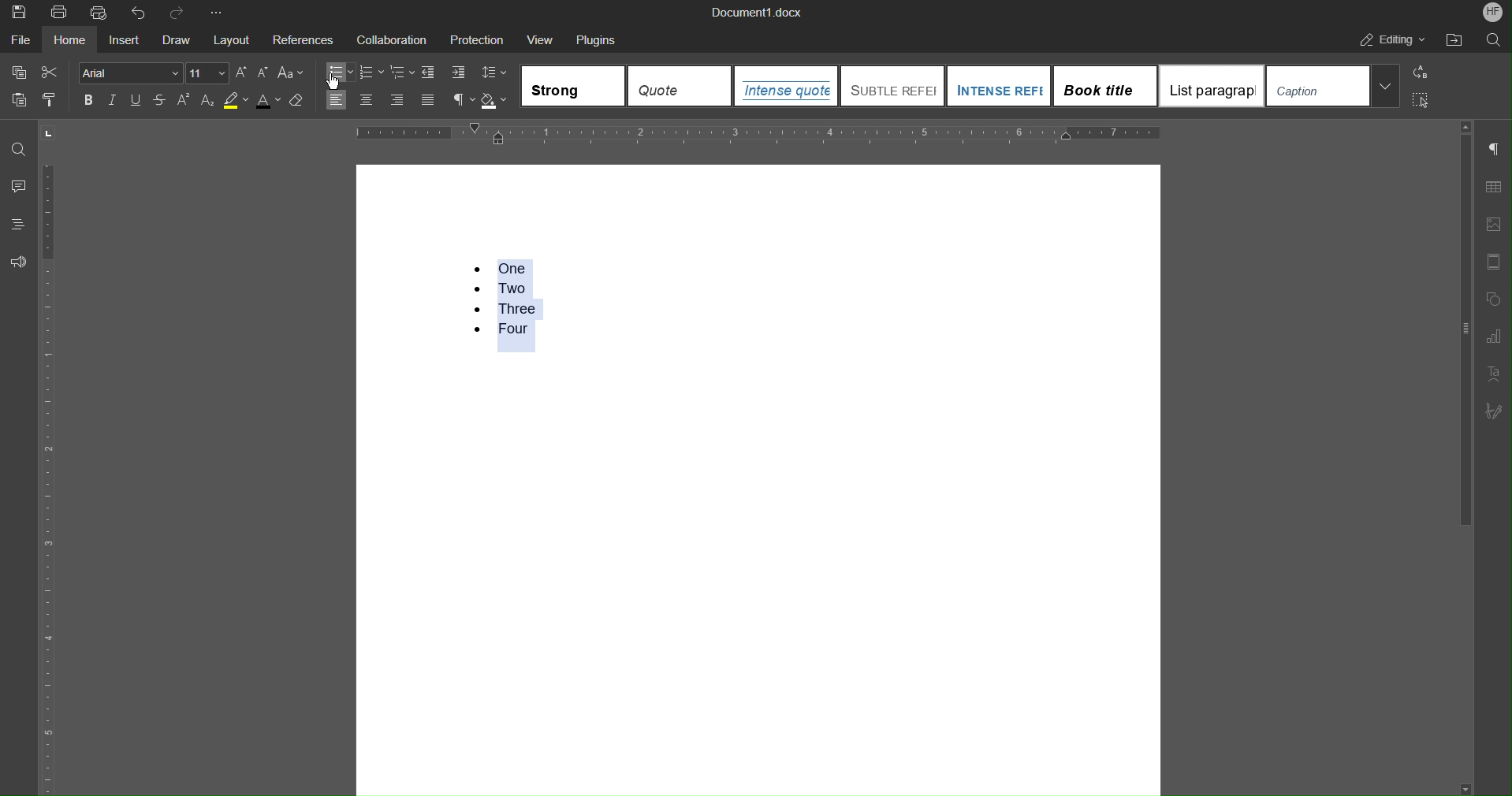  What do you see at coordinates (1493, 375) in the screenshot?
I see `Text Art` at bounding box center [1493, 375].